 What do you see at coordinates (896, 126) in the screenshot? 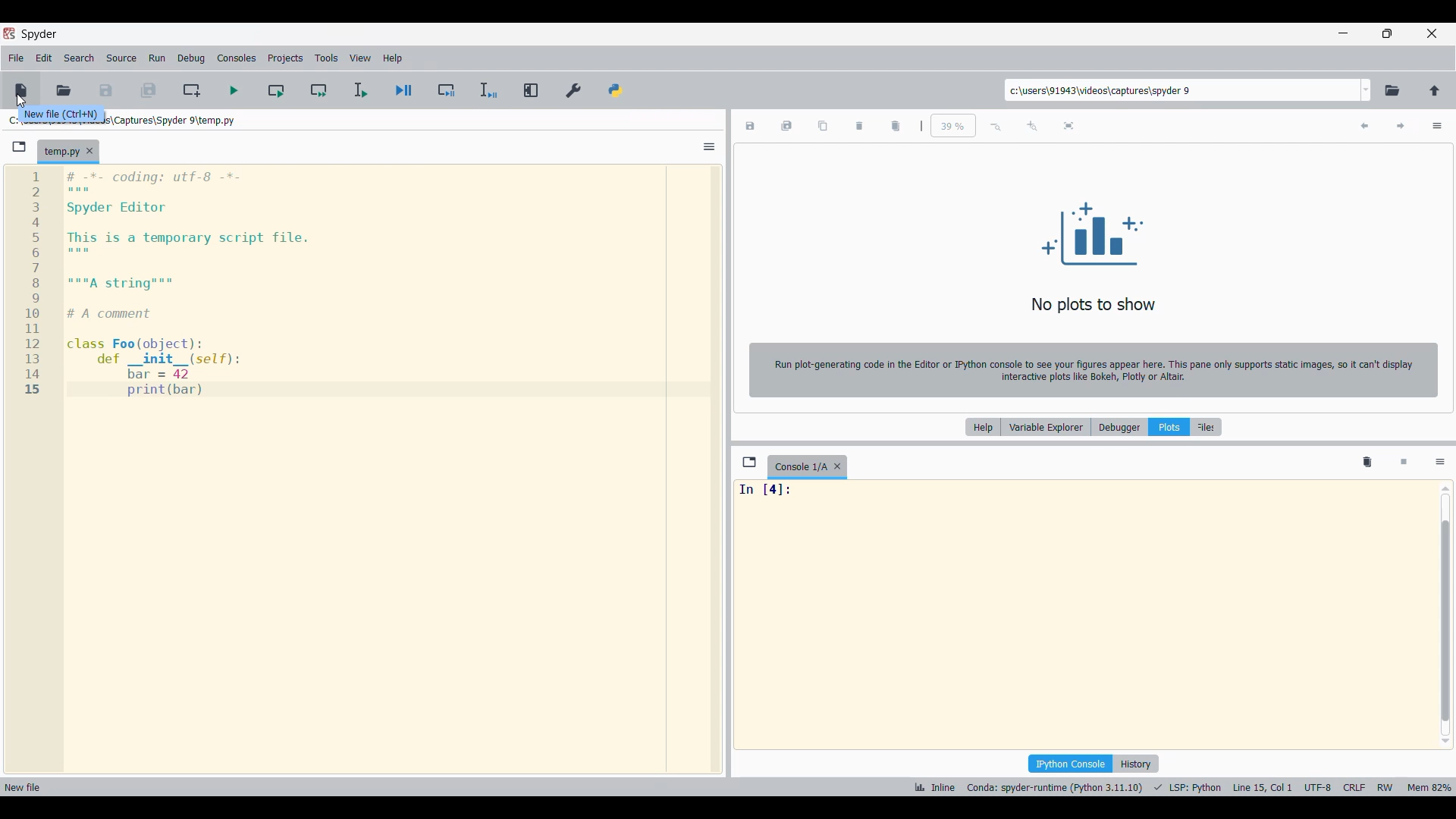
I see `Delete all plots` at bounding box center [896, 126].